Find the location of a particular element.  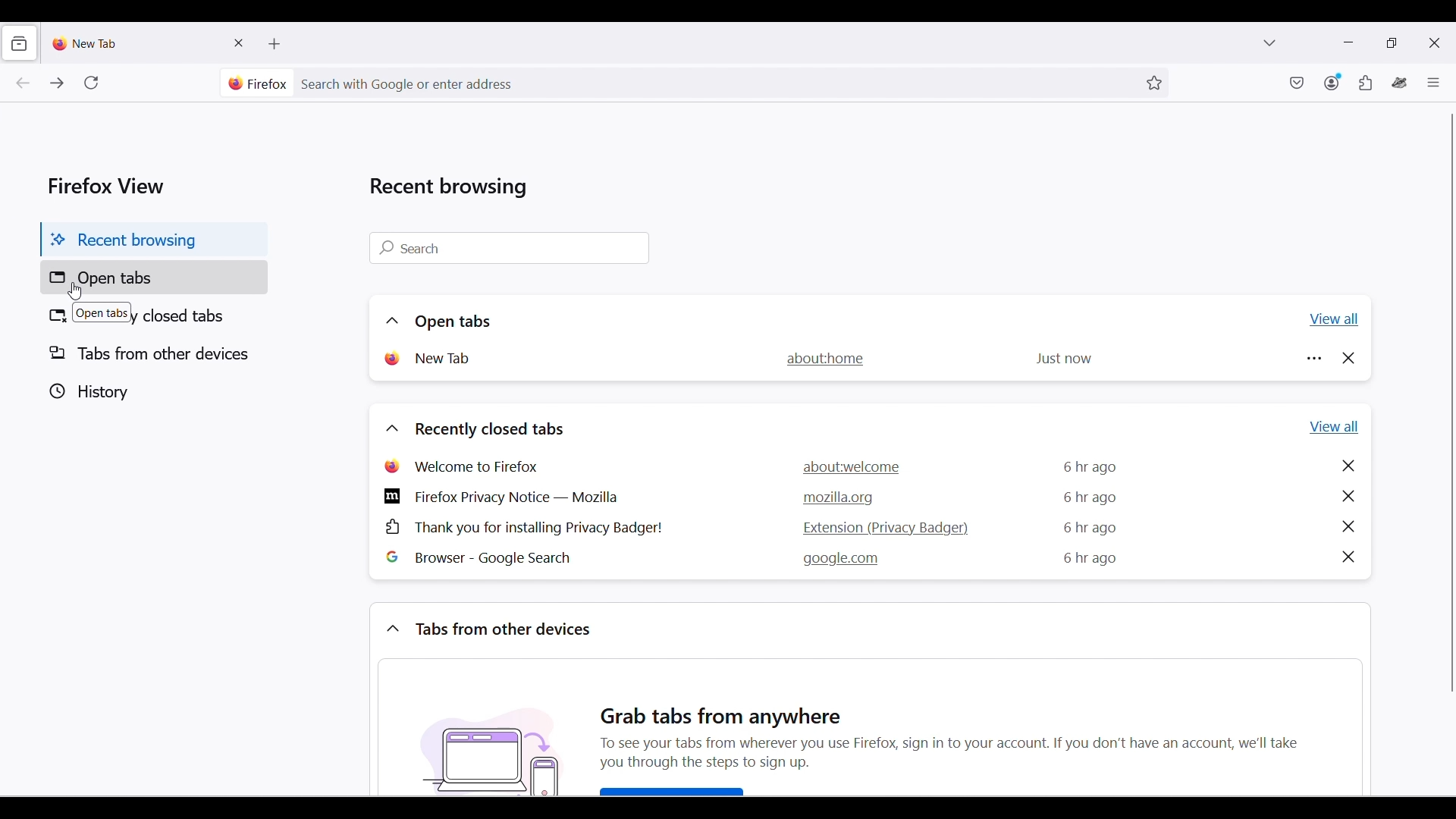

 is located at coordinates (491, 747).